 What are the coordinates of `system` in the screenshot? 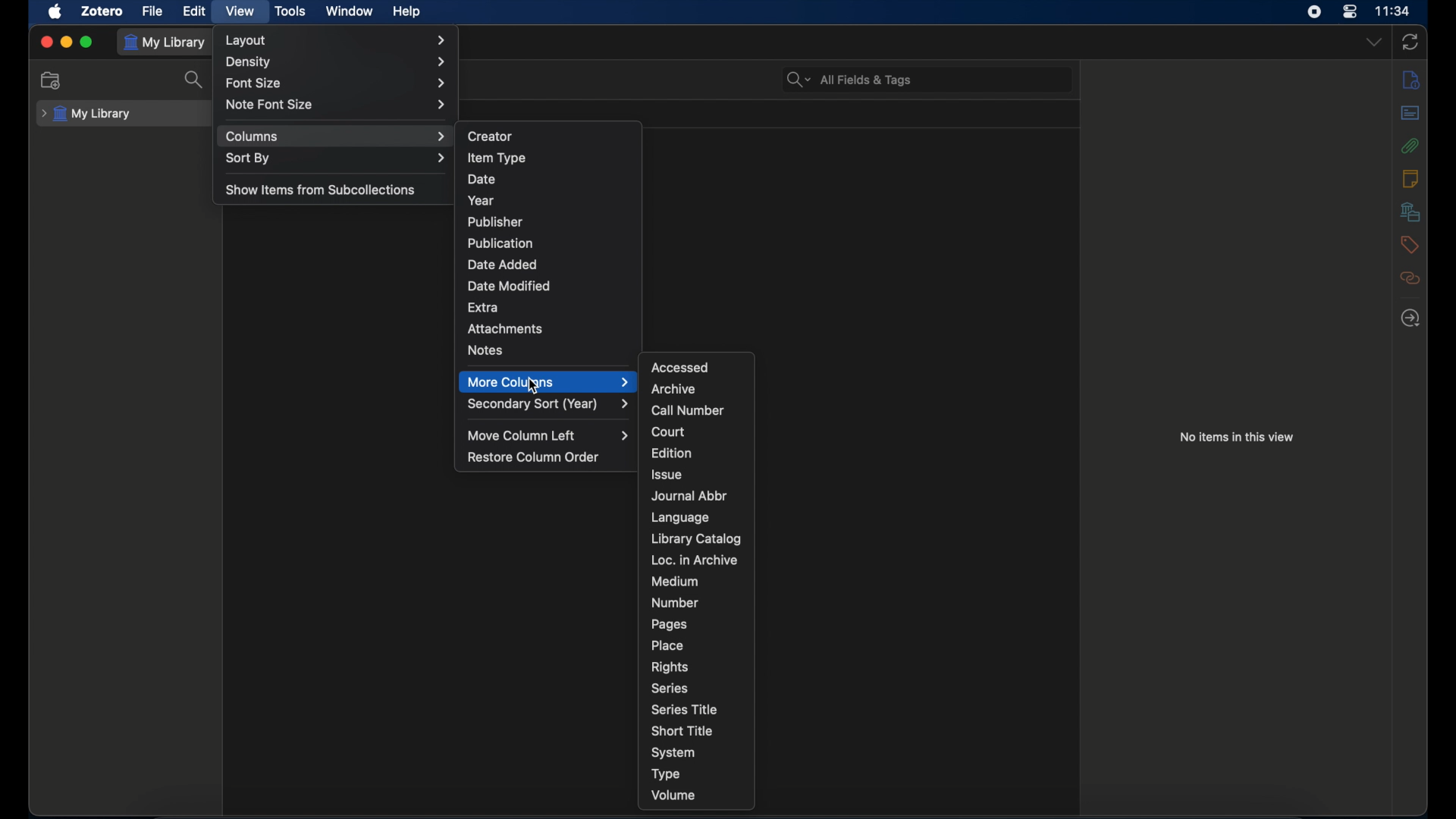 It's located at (673, 753).